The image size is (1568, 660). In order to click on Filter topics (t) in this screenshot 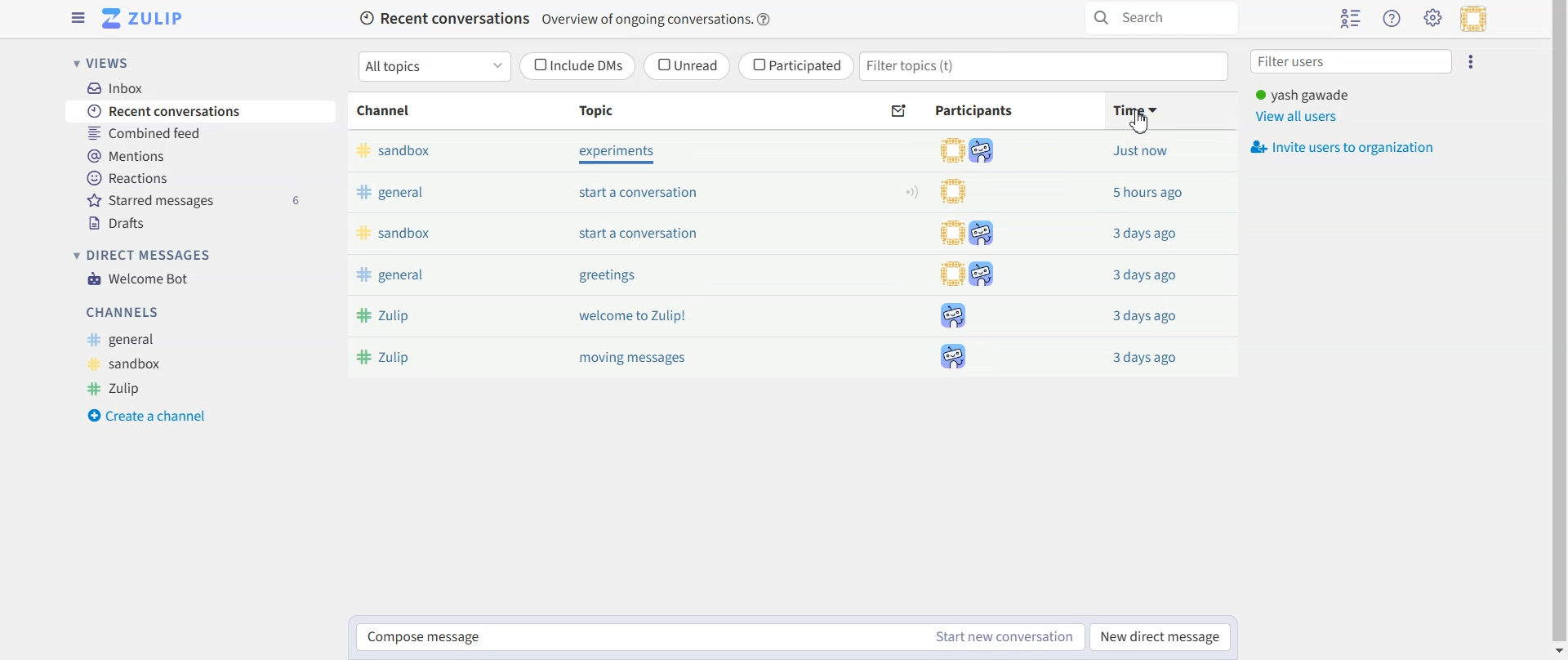, I will do `click(1045, 68)`.